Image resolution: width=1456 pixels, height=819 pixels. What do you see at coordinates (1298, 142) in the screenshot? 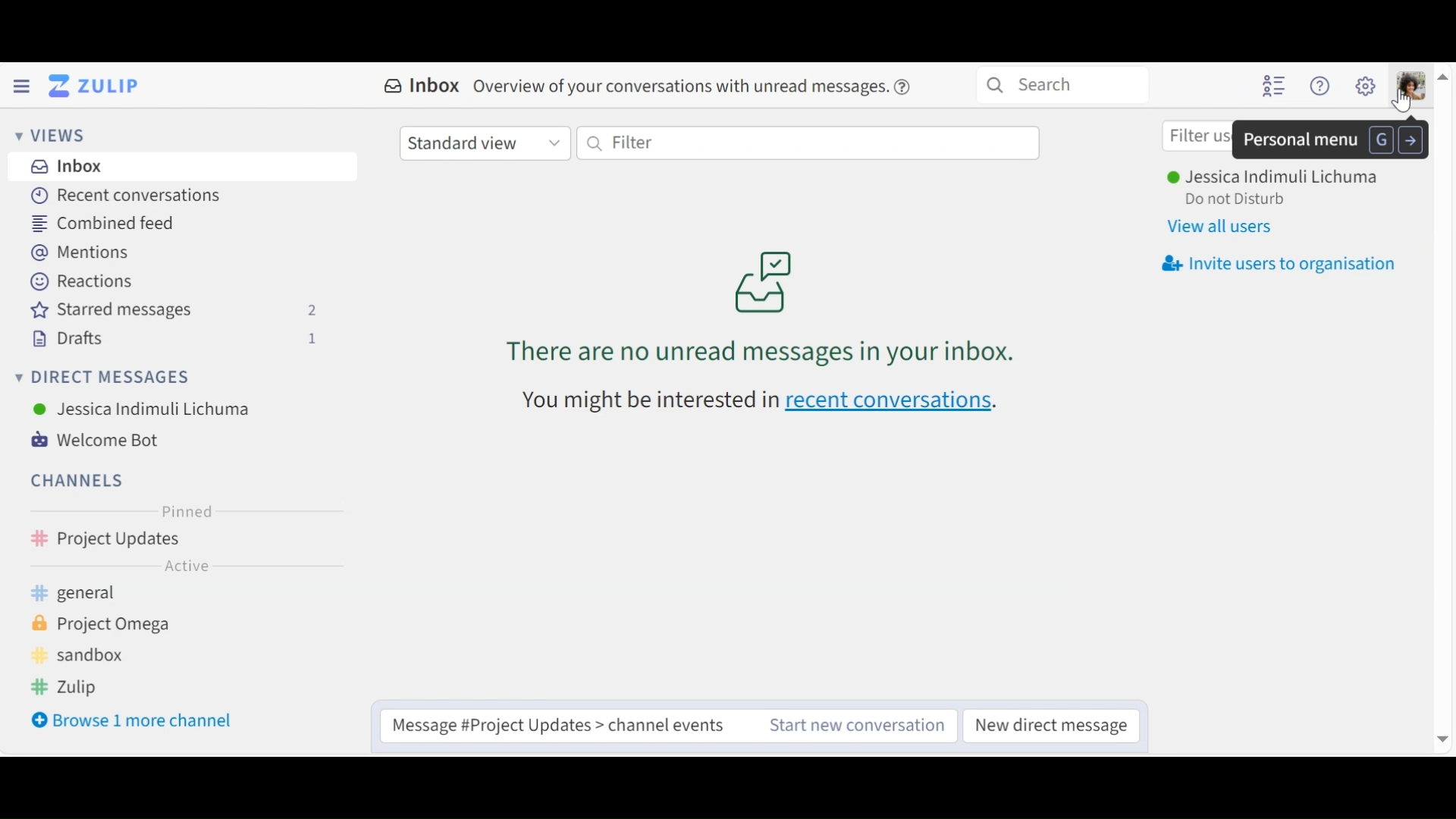
I see `Personal menu` at bounding box center [1298, 142].